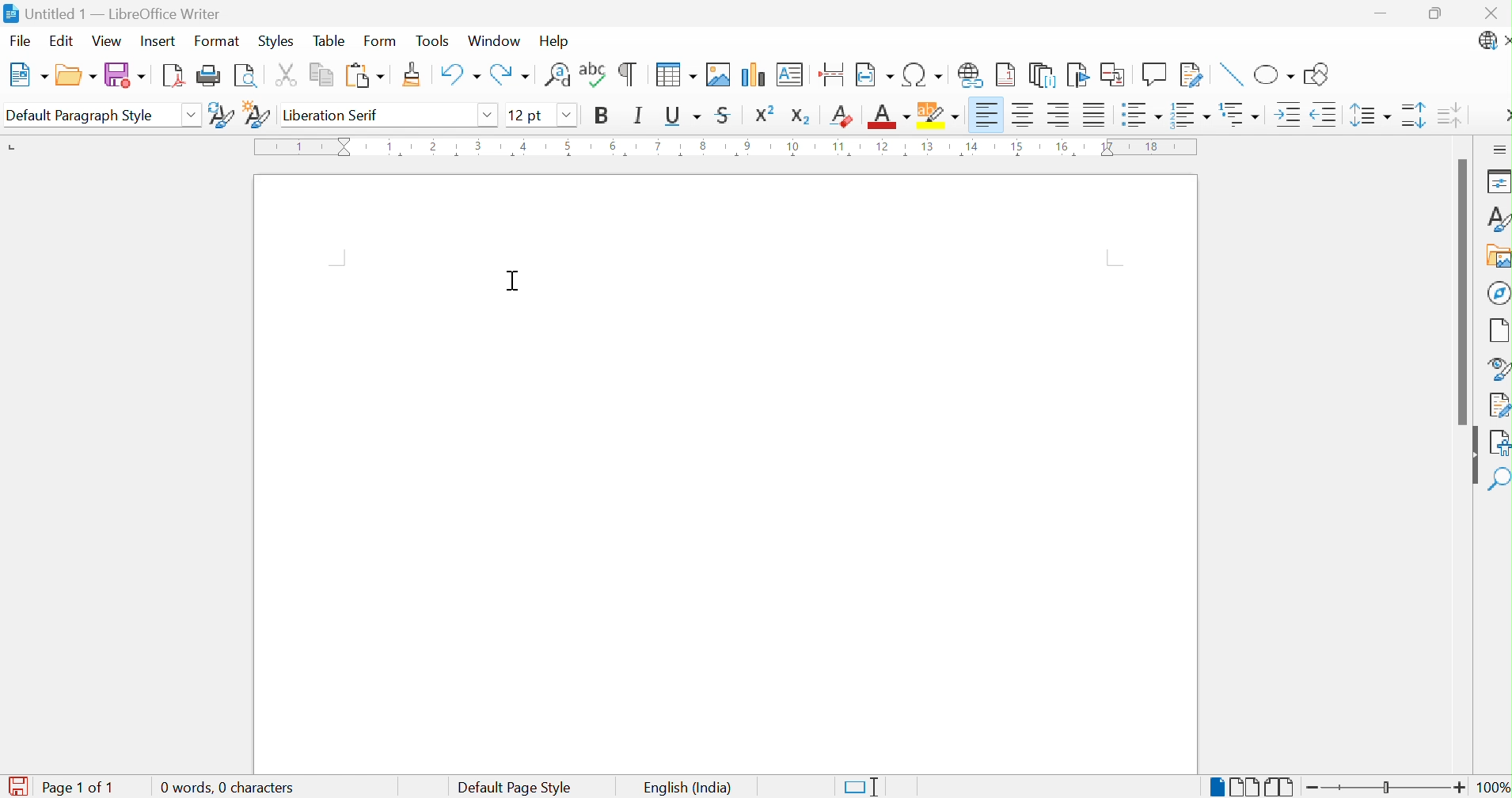 The width and height of the screenshot is (1512, 798). I want to click on Styles, so click(275, 40).